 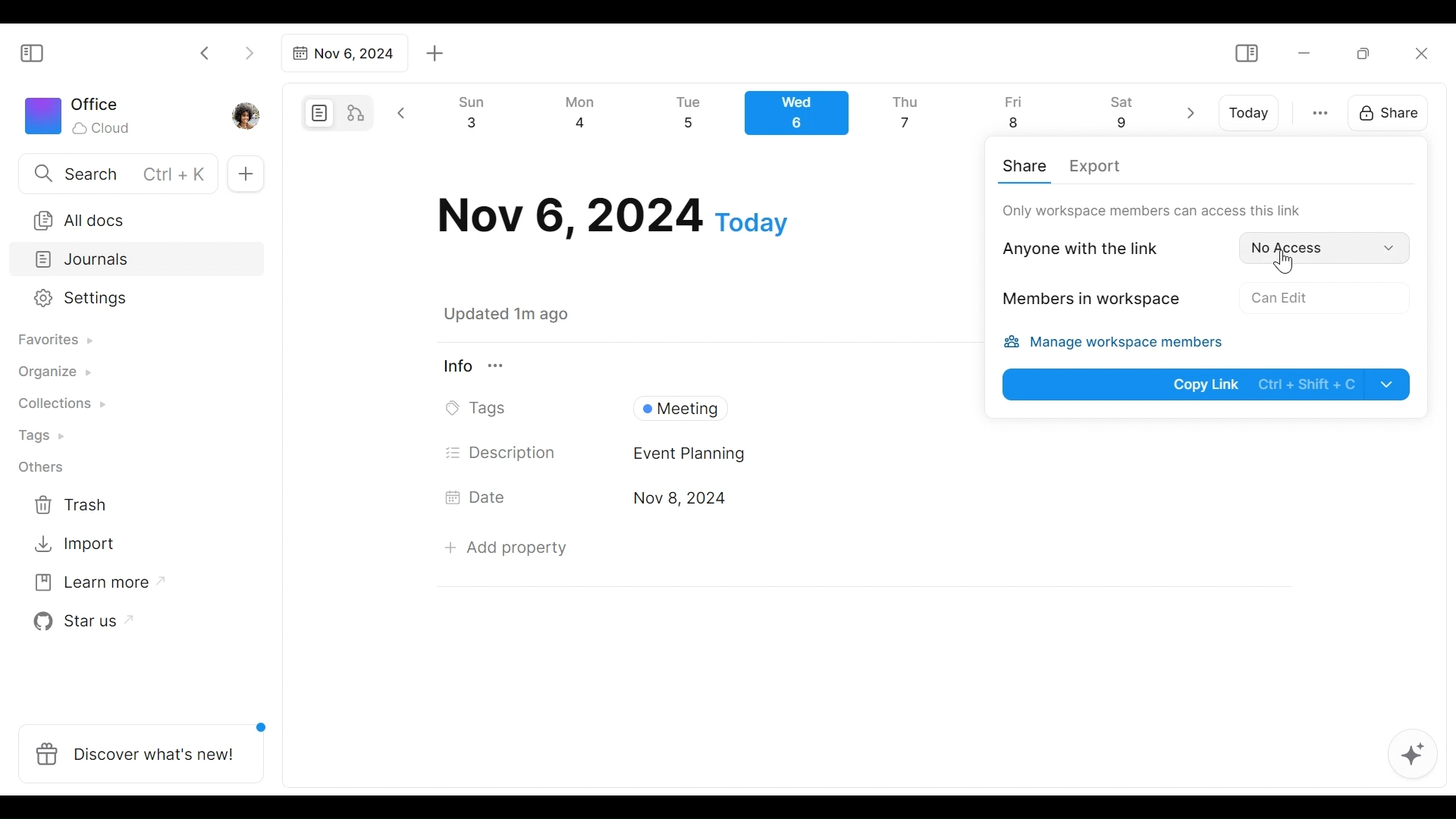 What do you see at coordinates (1208, 384) in the screenshot?
I see `Copy Link` at bounding box center [1208, 384].